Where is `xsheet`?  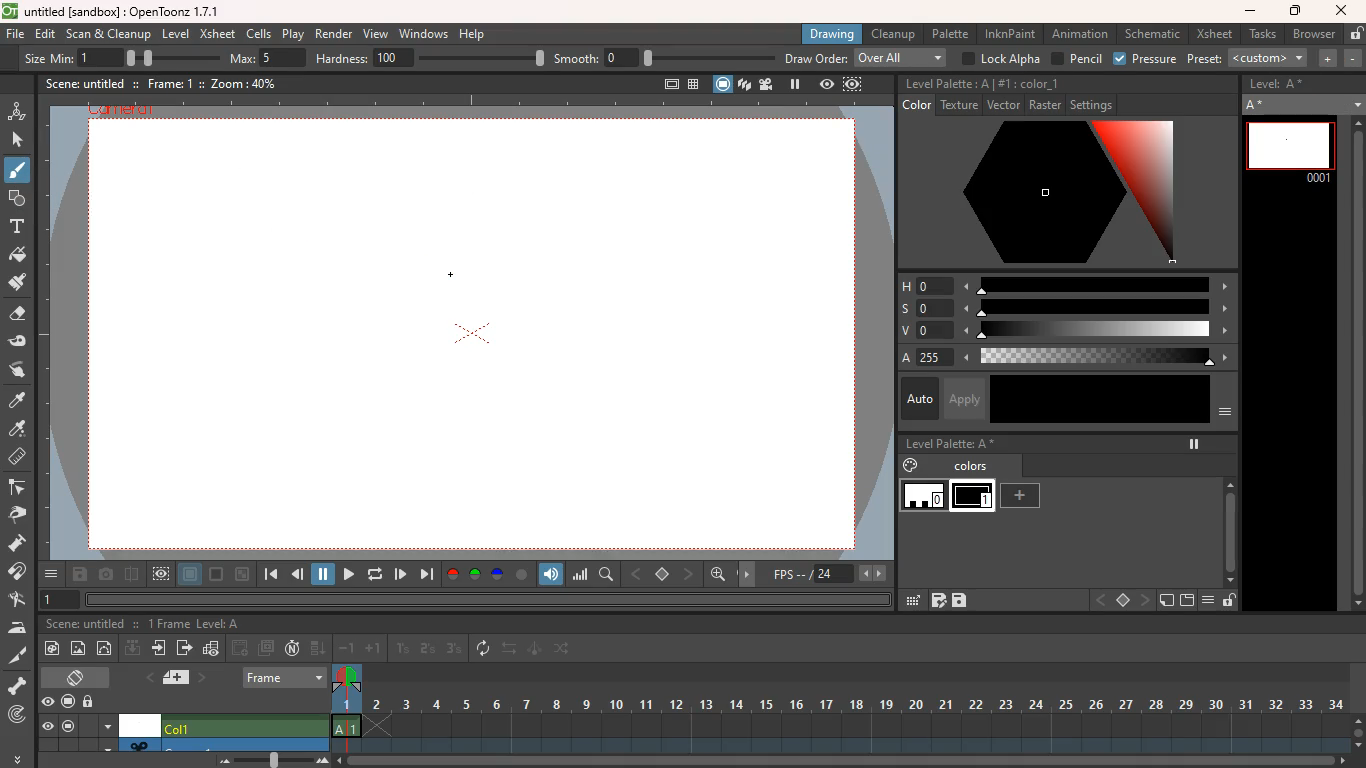 xsheet is located at coordinates (218, 35).